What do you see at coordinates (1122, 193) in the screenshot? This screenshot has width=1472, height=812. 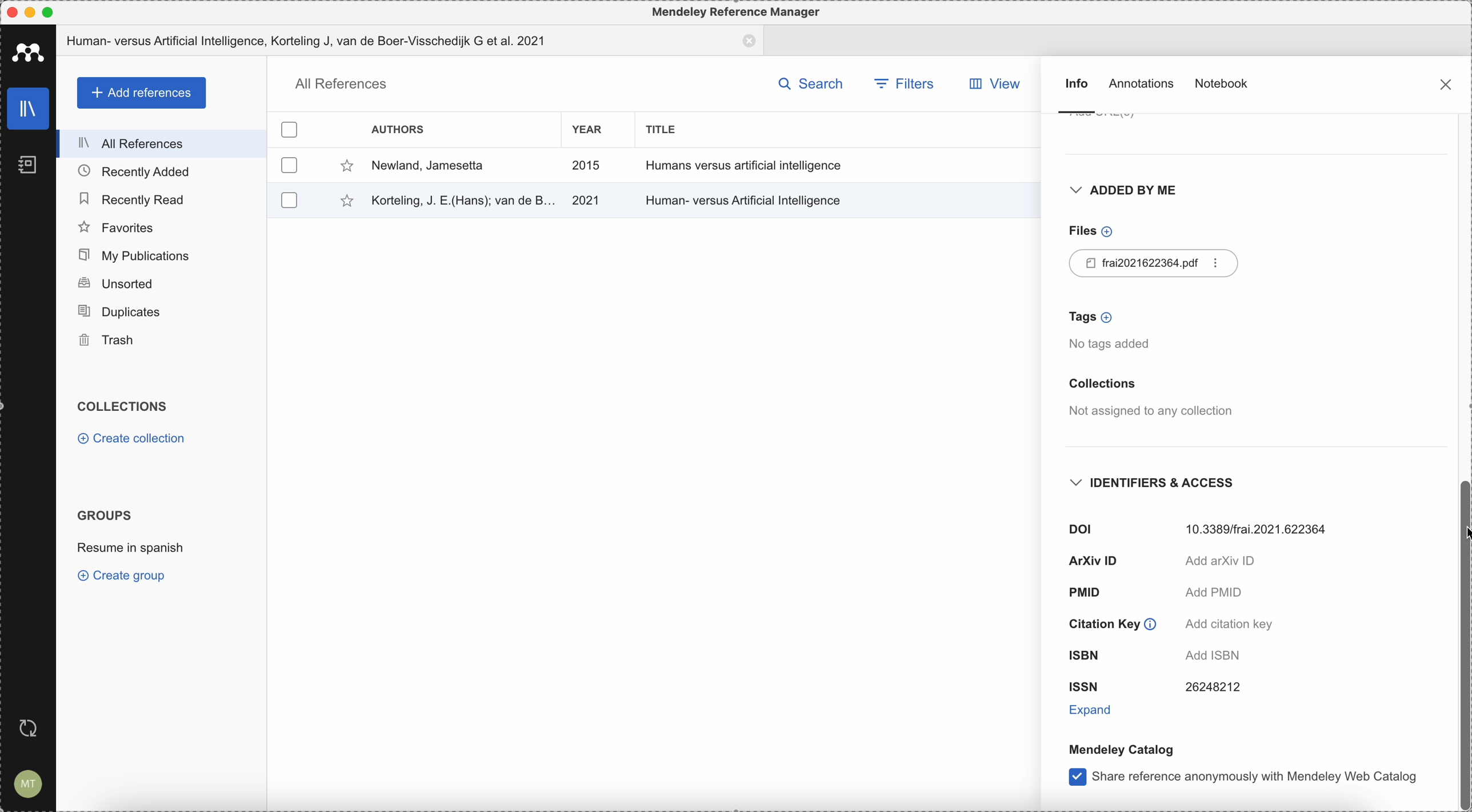 I see `added by me` at bounding box center [1122, 193].